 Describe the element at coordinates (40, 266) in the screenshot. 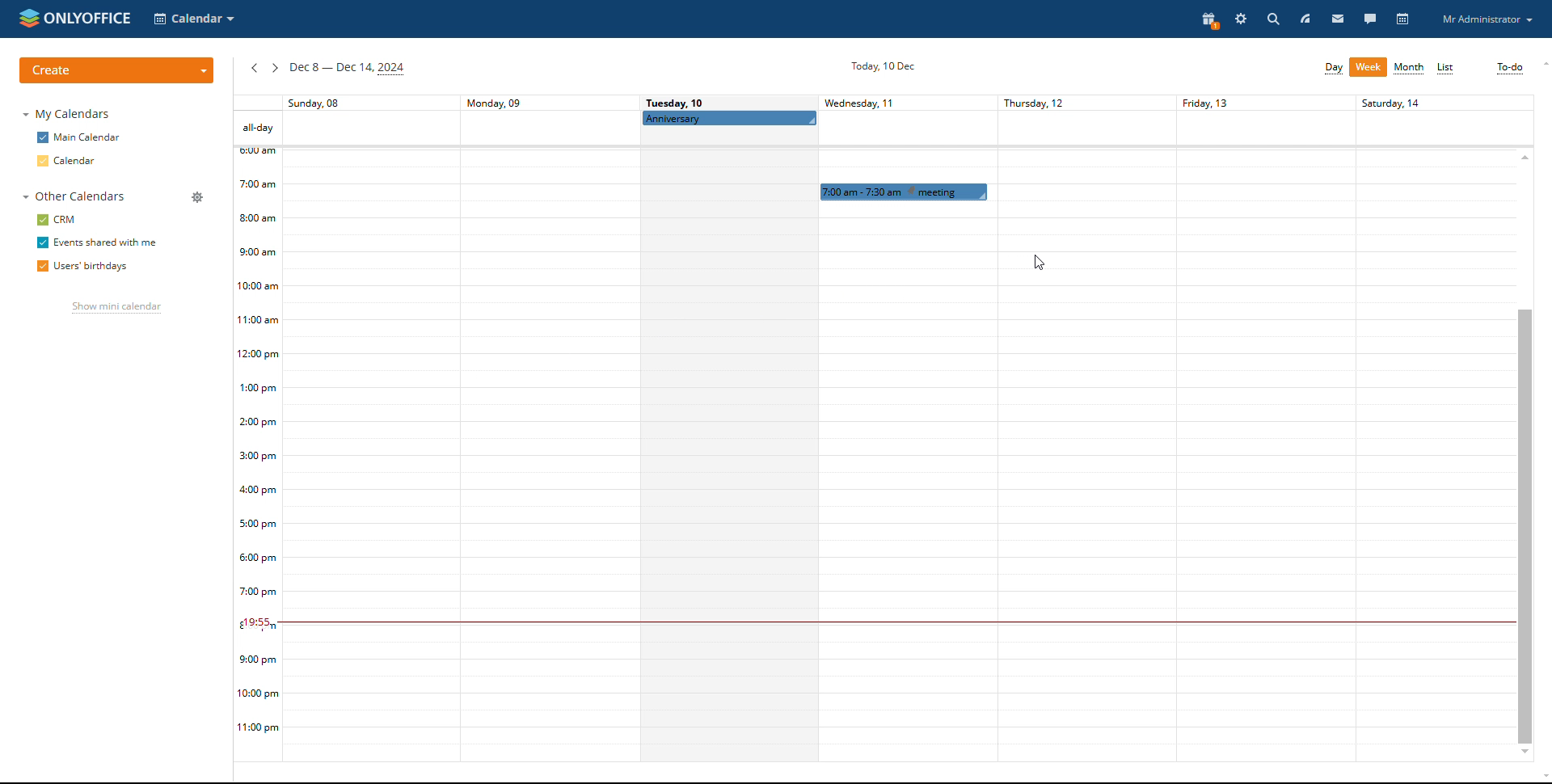

I see `checkbox` at that location.